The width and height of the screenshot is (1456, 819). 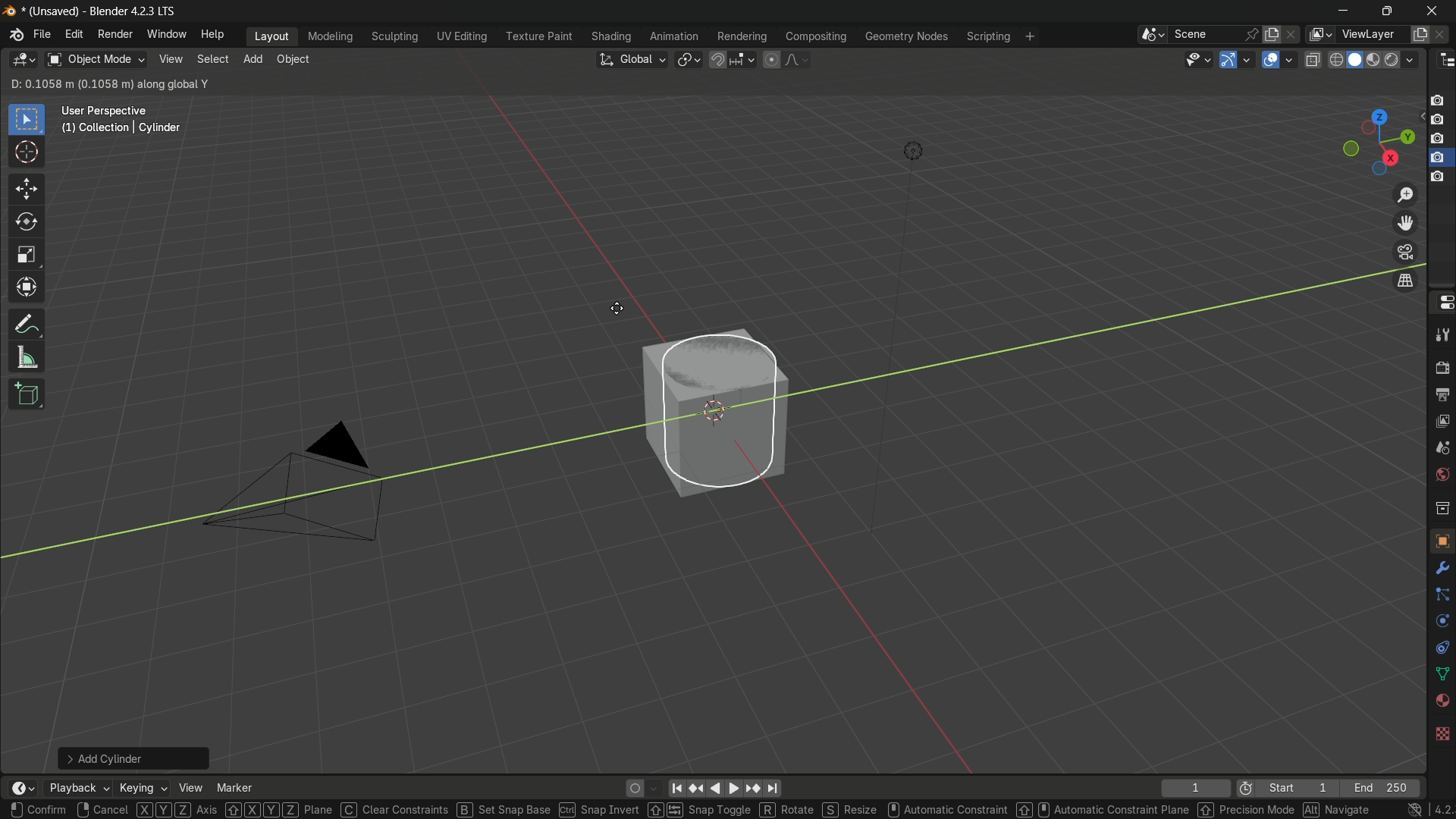 What do you see at coordinates (1441, 332) in the screenshot?
I see `tools` at bounding box center [1441, 332].